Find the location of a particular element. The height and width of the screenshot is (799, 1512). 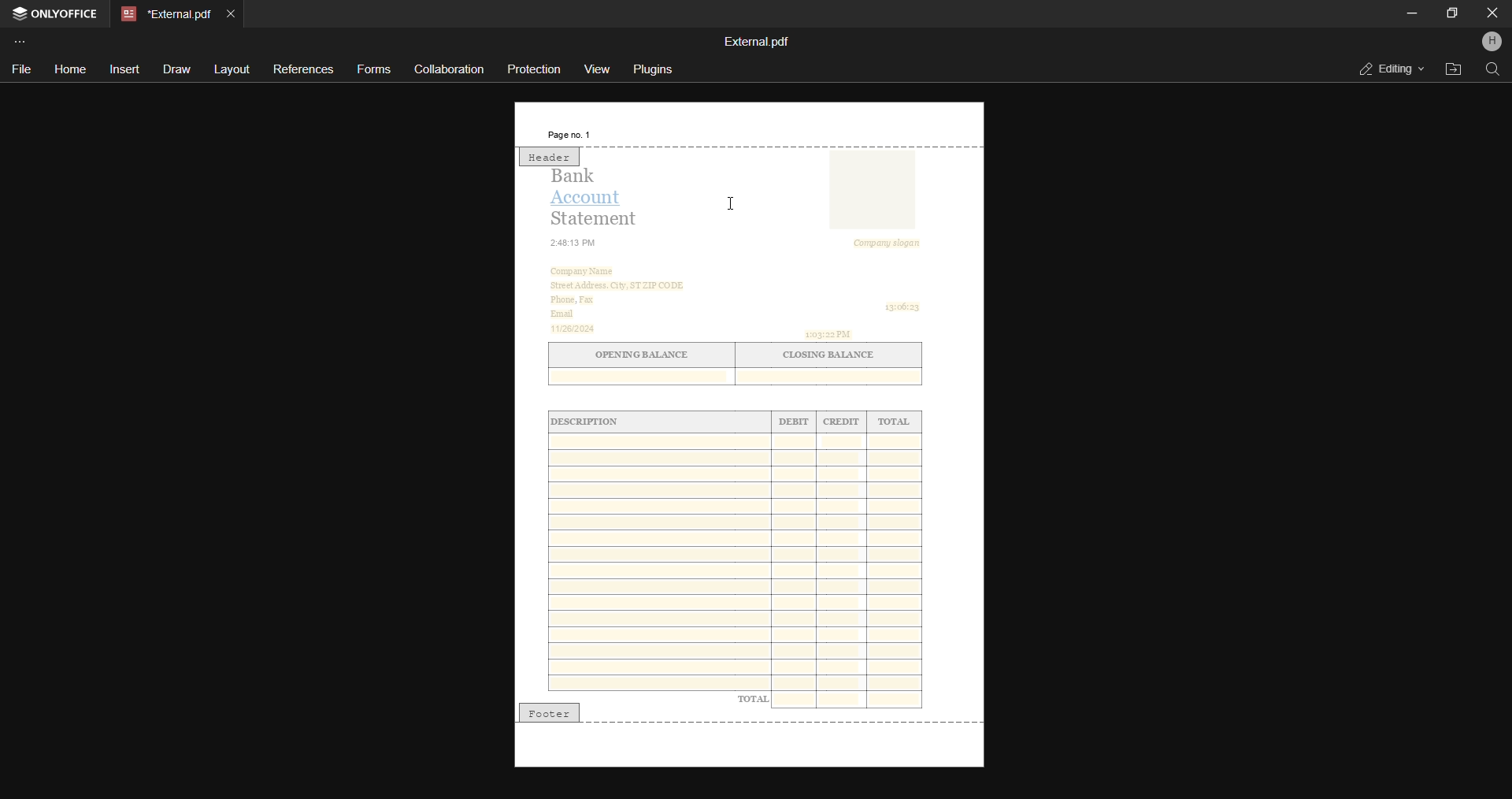

open file location is located at coordinates (1451, 69).